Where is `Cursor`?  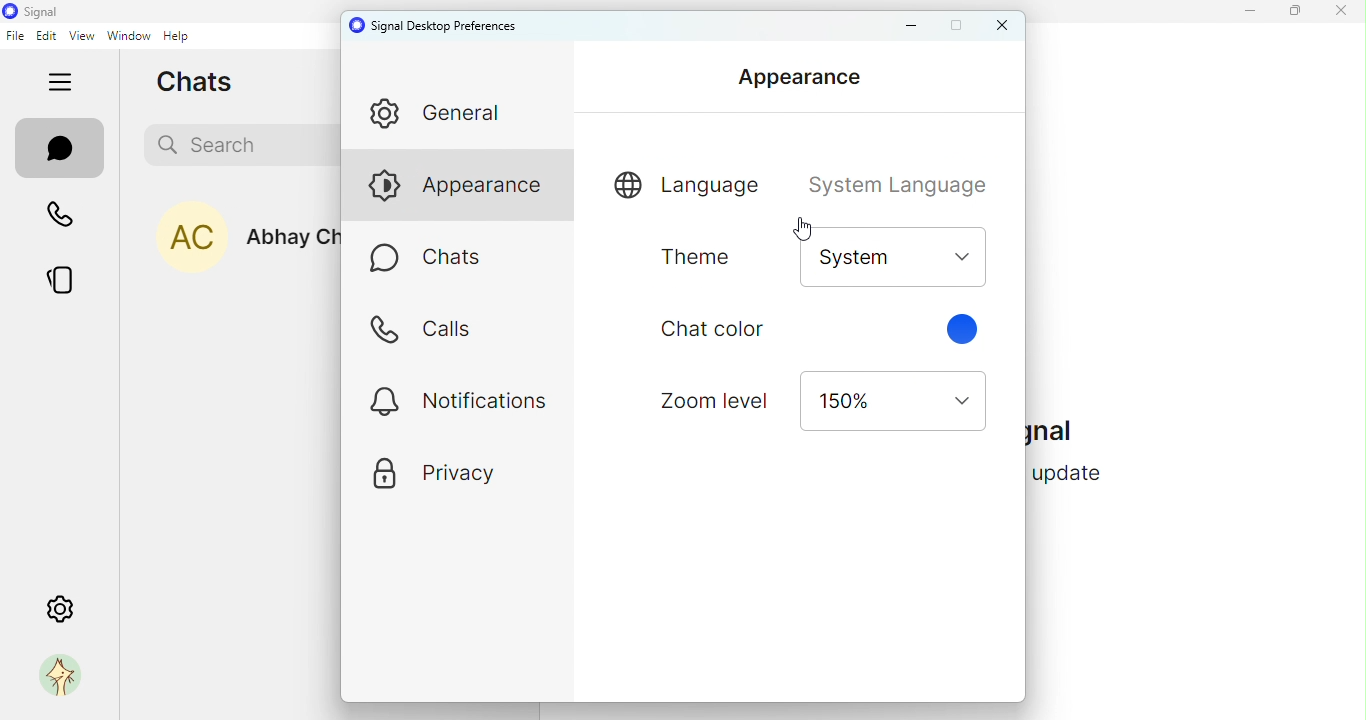 Cursor is located at coordinates (798, 225).